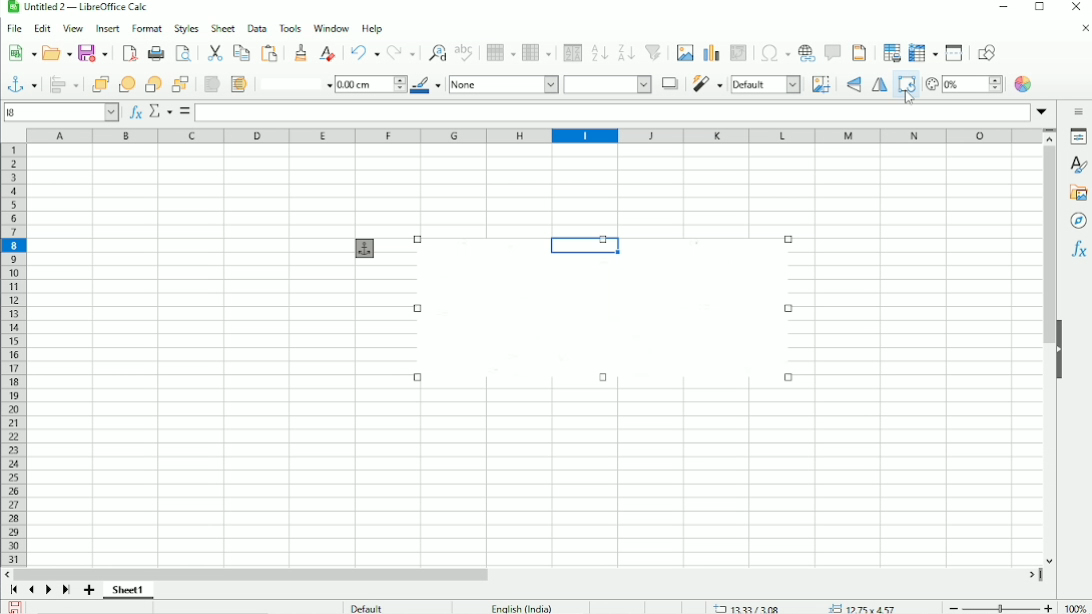 This screenshot has height=614, width=1092. Describe the element at coordinates (106, 28) in the screenshot. I see `Insert` at that location.